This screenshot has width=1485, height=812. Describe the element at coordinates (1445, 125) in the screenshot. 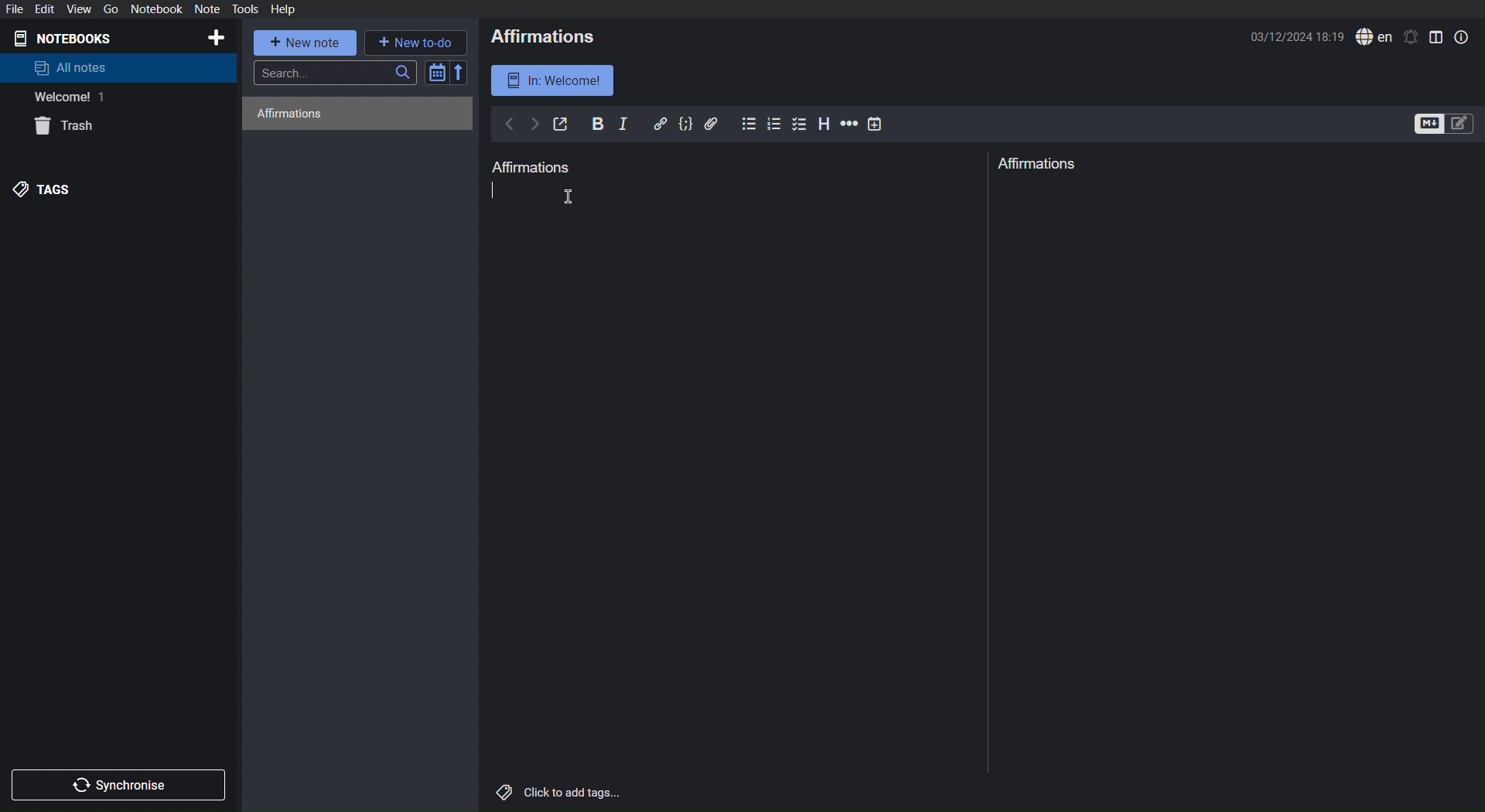

I see `Toggle editors` at that location.